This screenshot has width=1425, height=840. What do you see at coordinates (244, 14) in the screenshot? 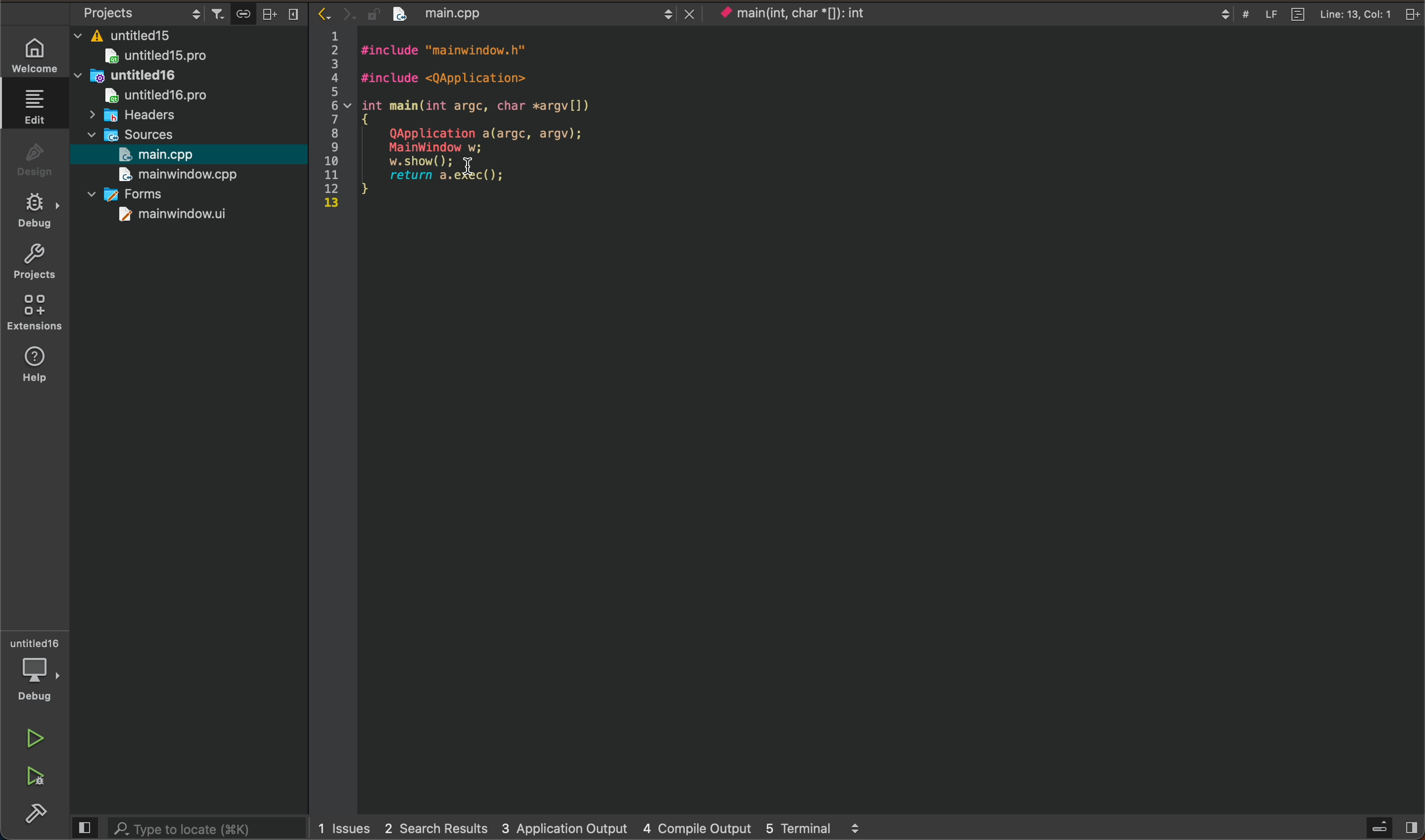
I see `` at bounding box center [244, 14].